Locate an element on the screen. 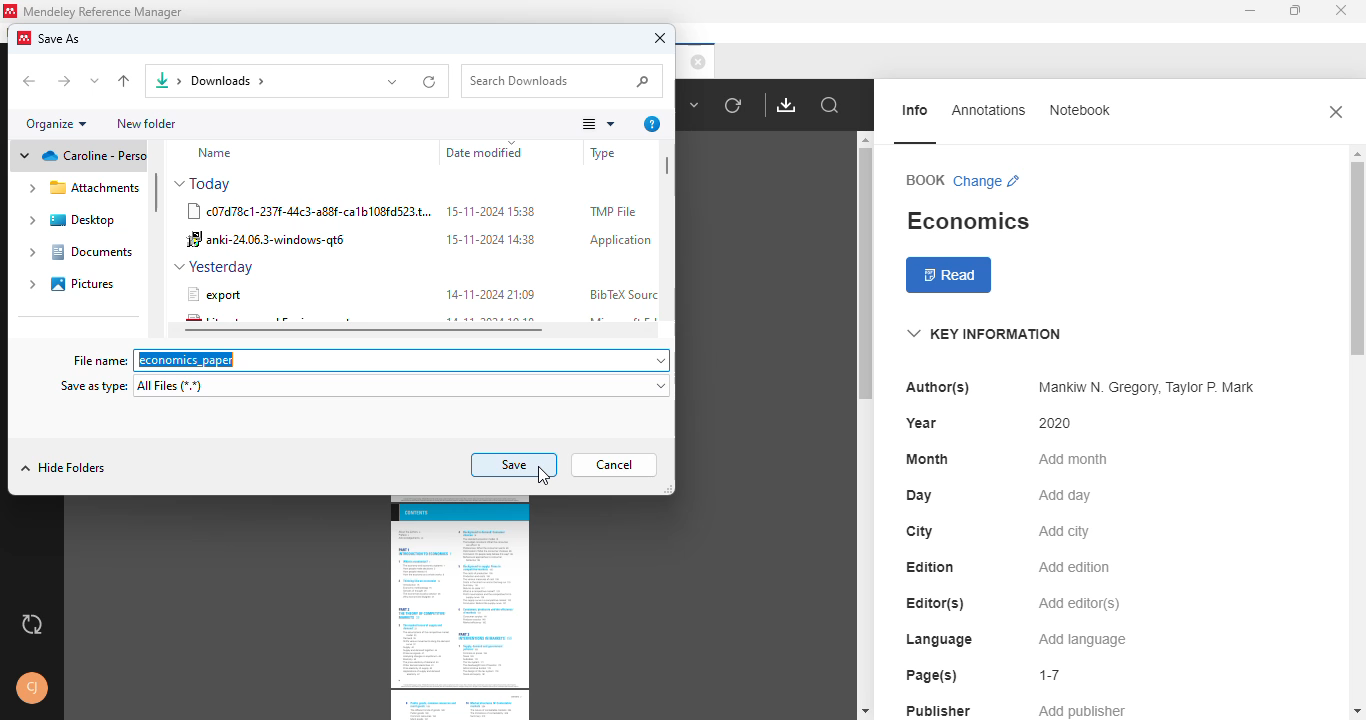  maximize is located at coordinates (1295, 11).